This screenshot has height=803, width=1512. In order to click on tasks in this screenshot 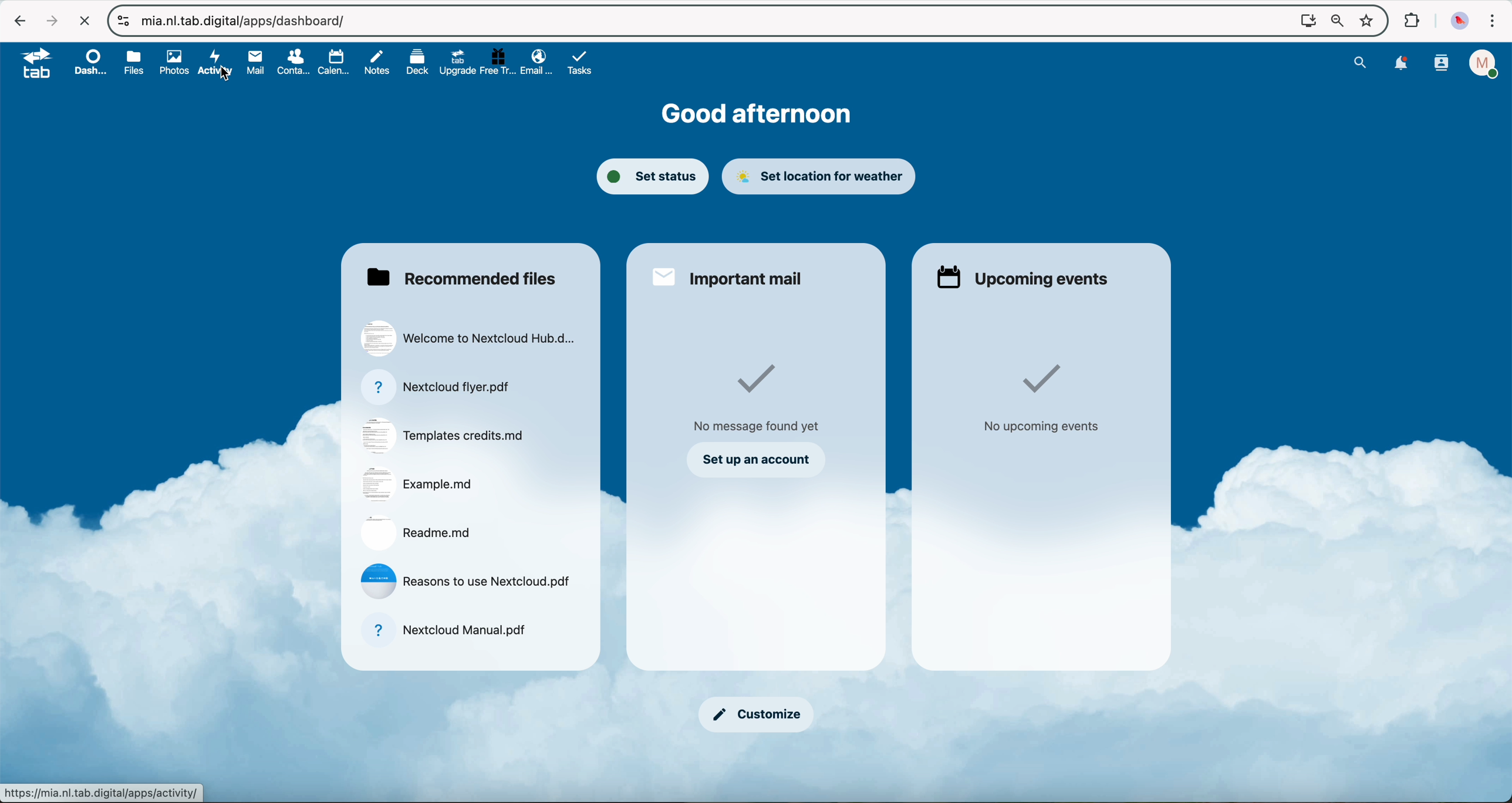, I will do `click(580, 62)`.